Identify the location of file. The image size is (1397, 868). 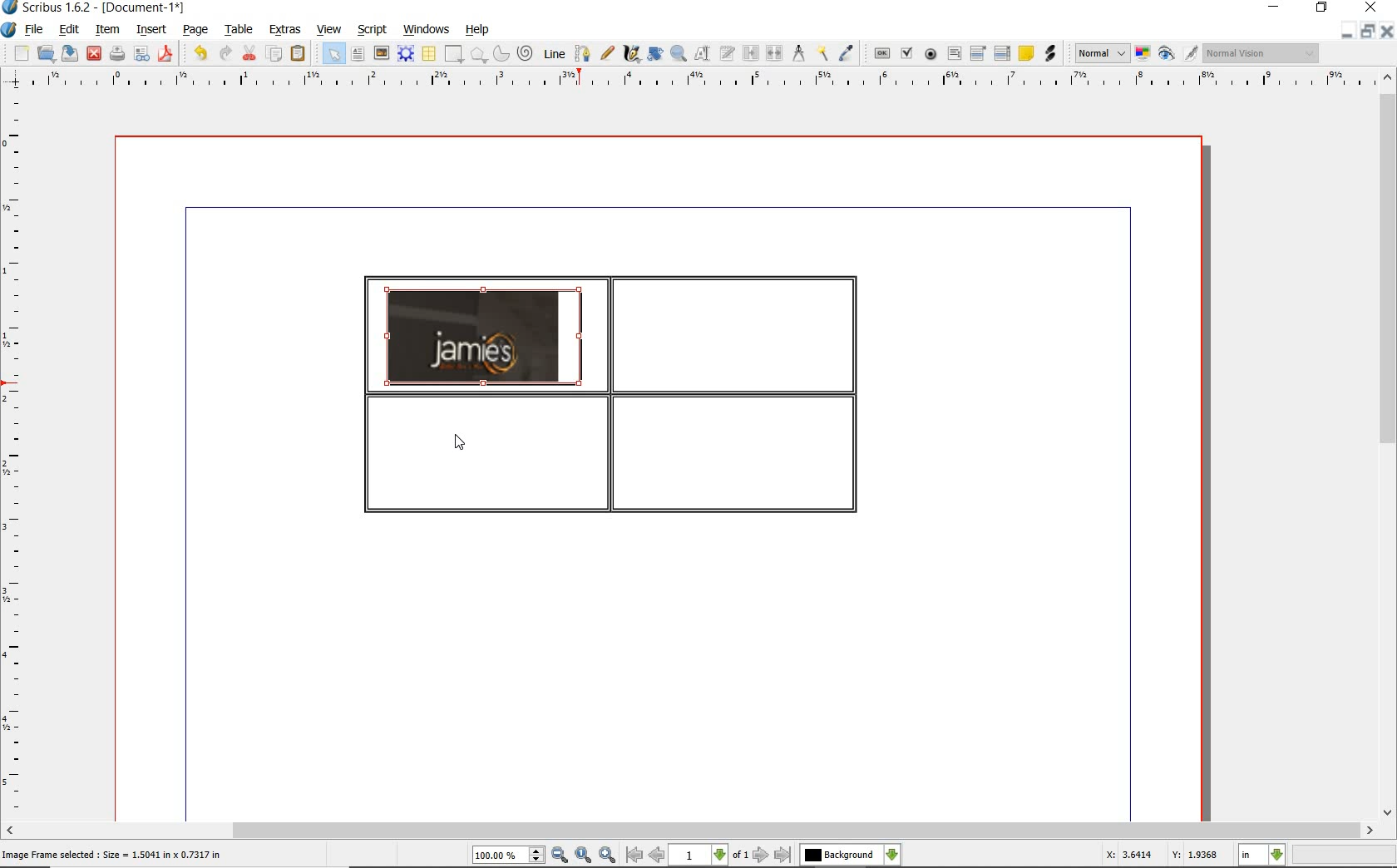
(35, 31).